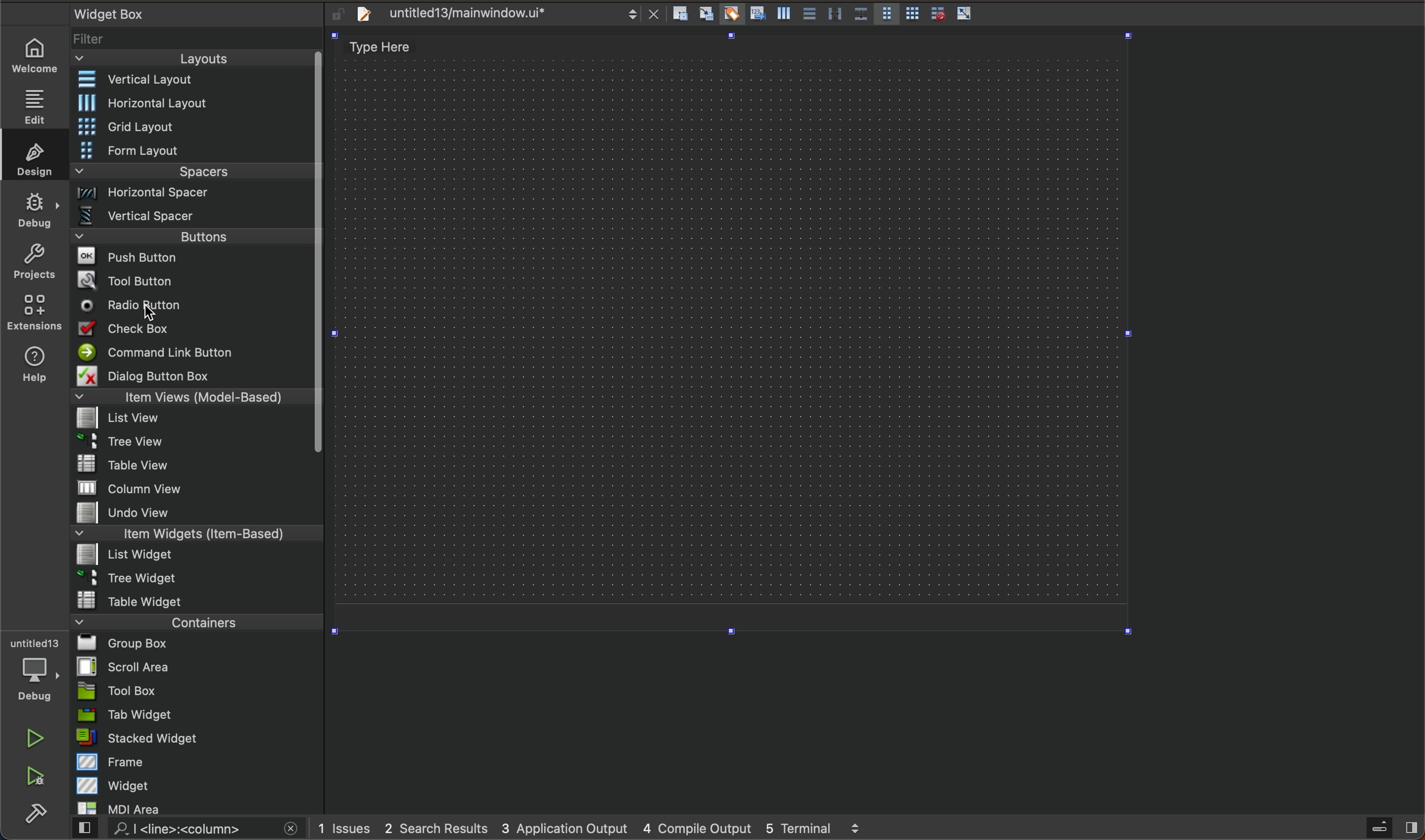 The image size is (1425, 840). I want to click on , so click(191, 196).